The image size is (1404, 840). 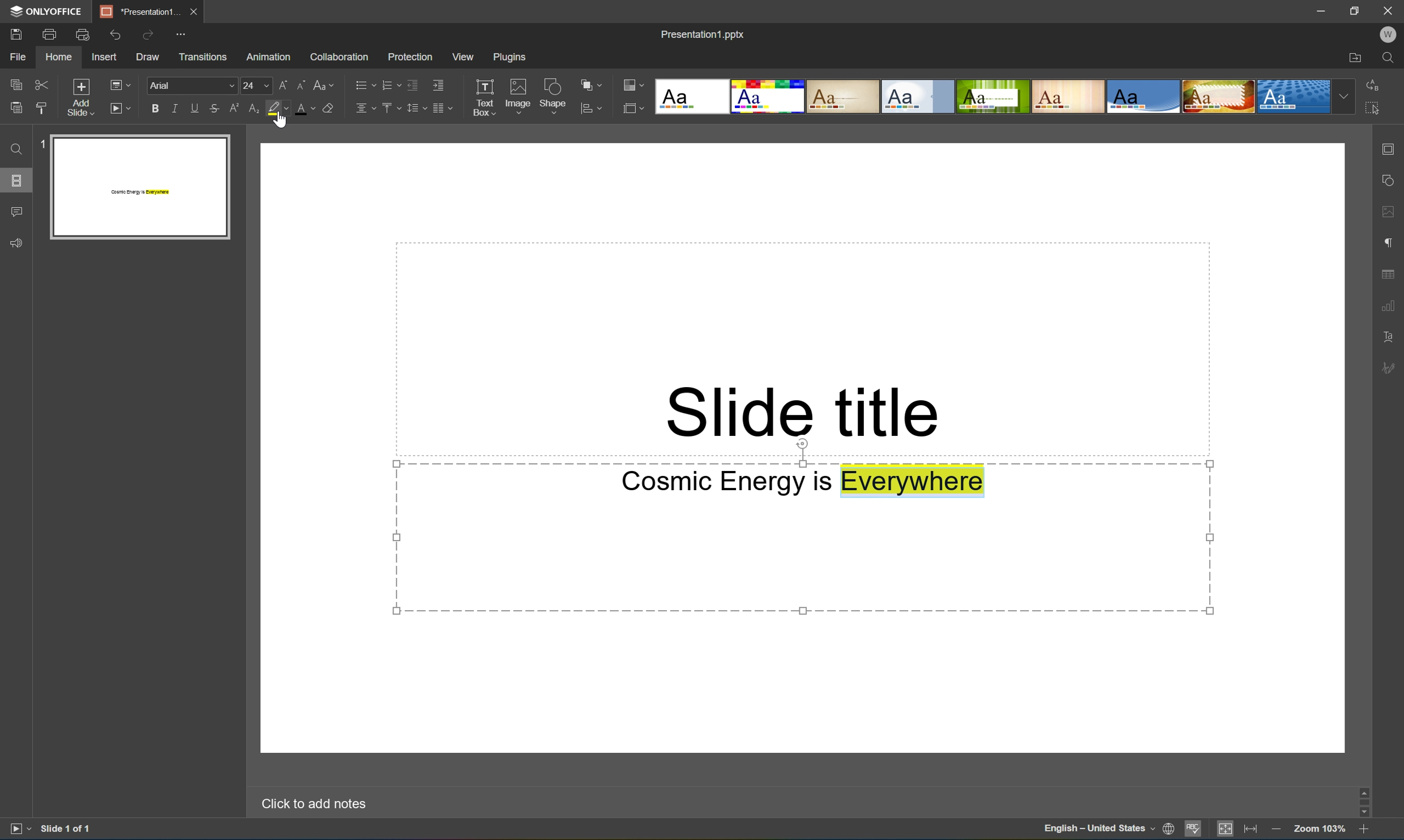 I want to click on Align Horizontal, so click(x=364, y=108).